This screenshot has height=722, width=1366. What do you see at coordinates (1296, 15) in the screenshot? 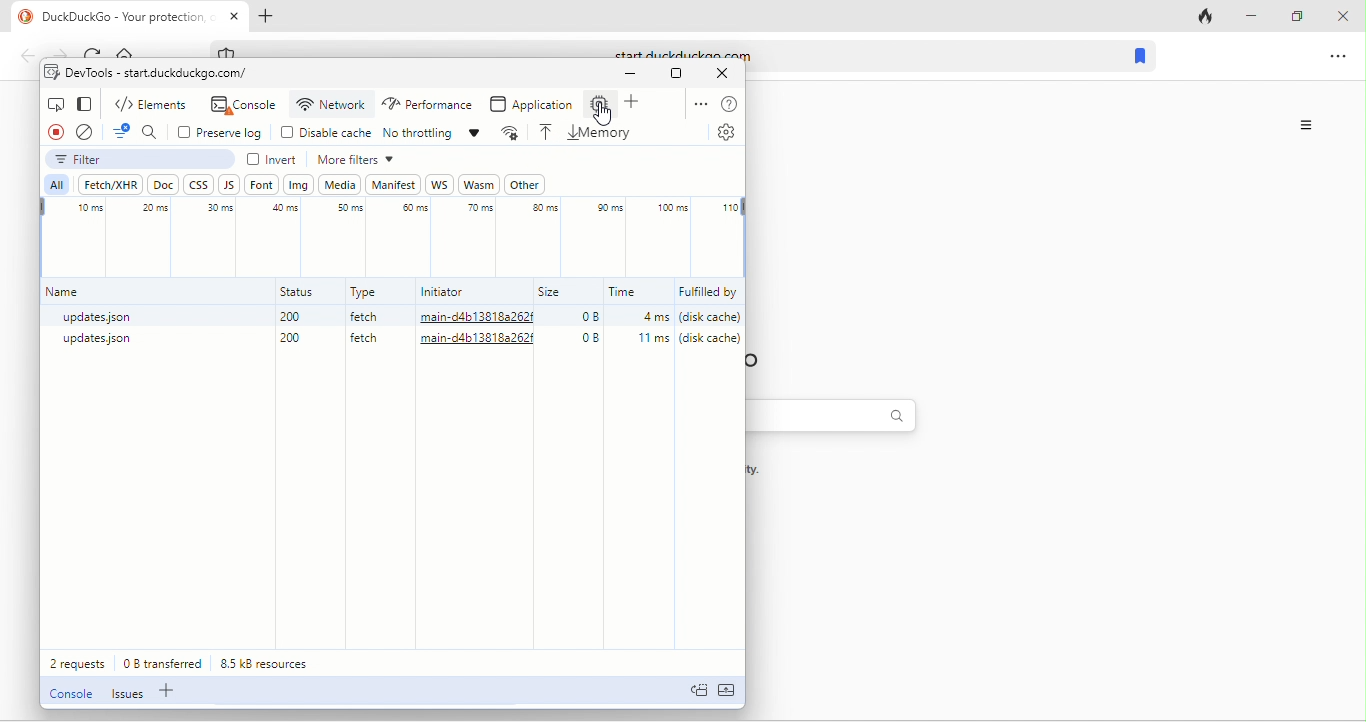
I see `maximize` at bounding box center [1296, 15].